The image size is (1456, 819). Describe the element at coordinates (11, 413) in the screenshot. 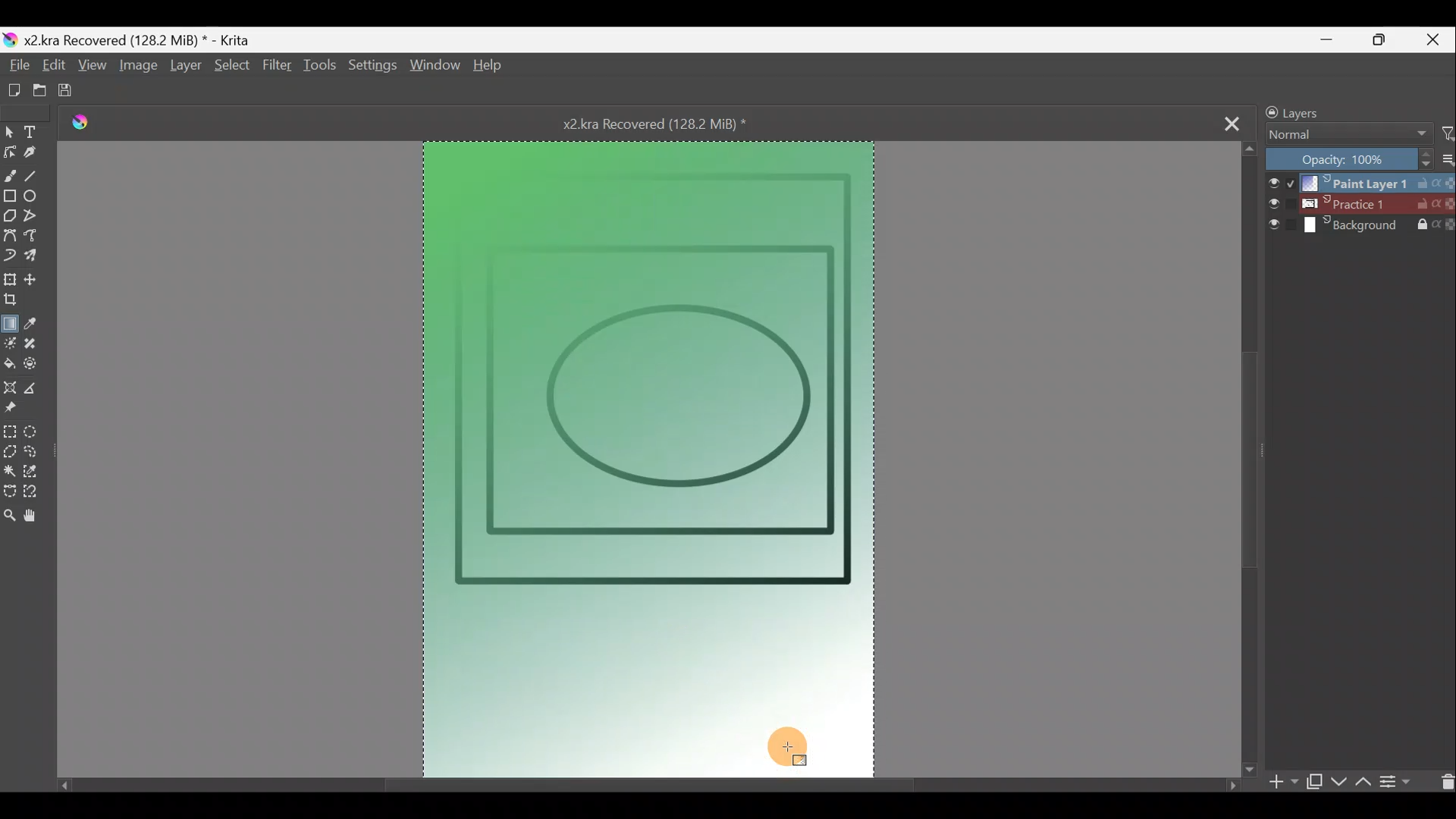

I see `Reference images tool` at that location.